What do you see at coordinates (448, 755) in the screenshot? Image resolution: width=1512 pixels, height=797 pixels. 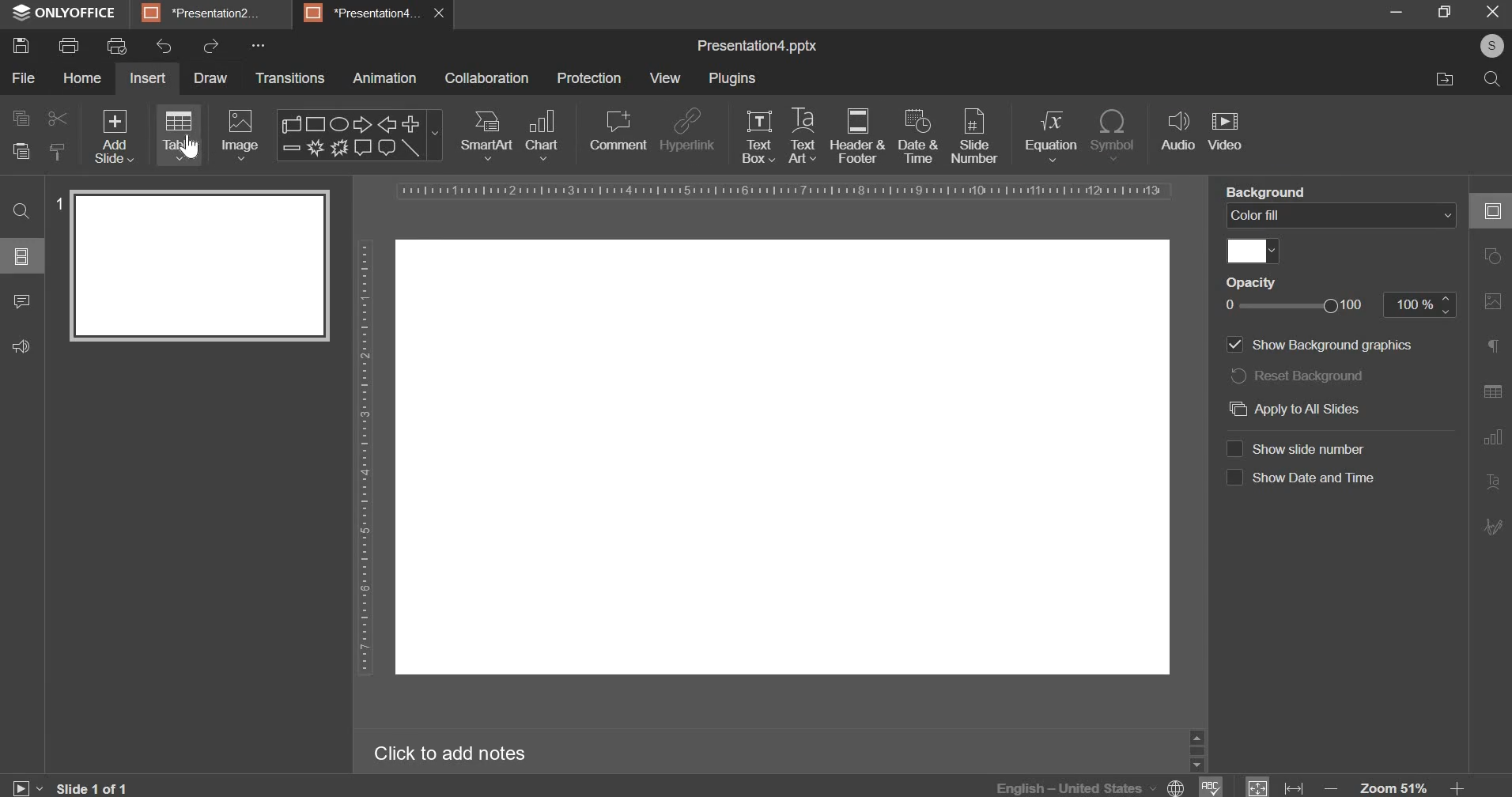 I see `click to add notes` at bounding box center [448, 755].